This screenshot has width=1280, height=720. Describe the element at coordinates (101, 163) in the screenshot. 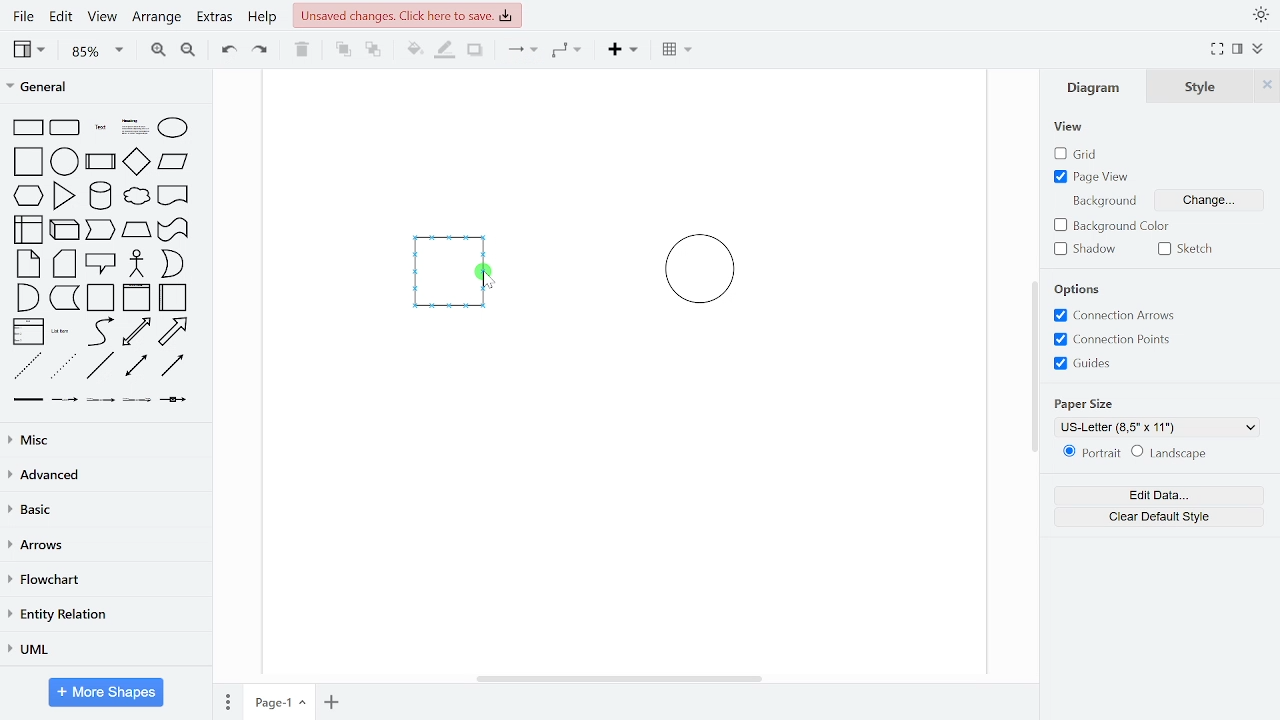

I see `process` at that location.